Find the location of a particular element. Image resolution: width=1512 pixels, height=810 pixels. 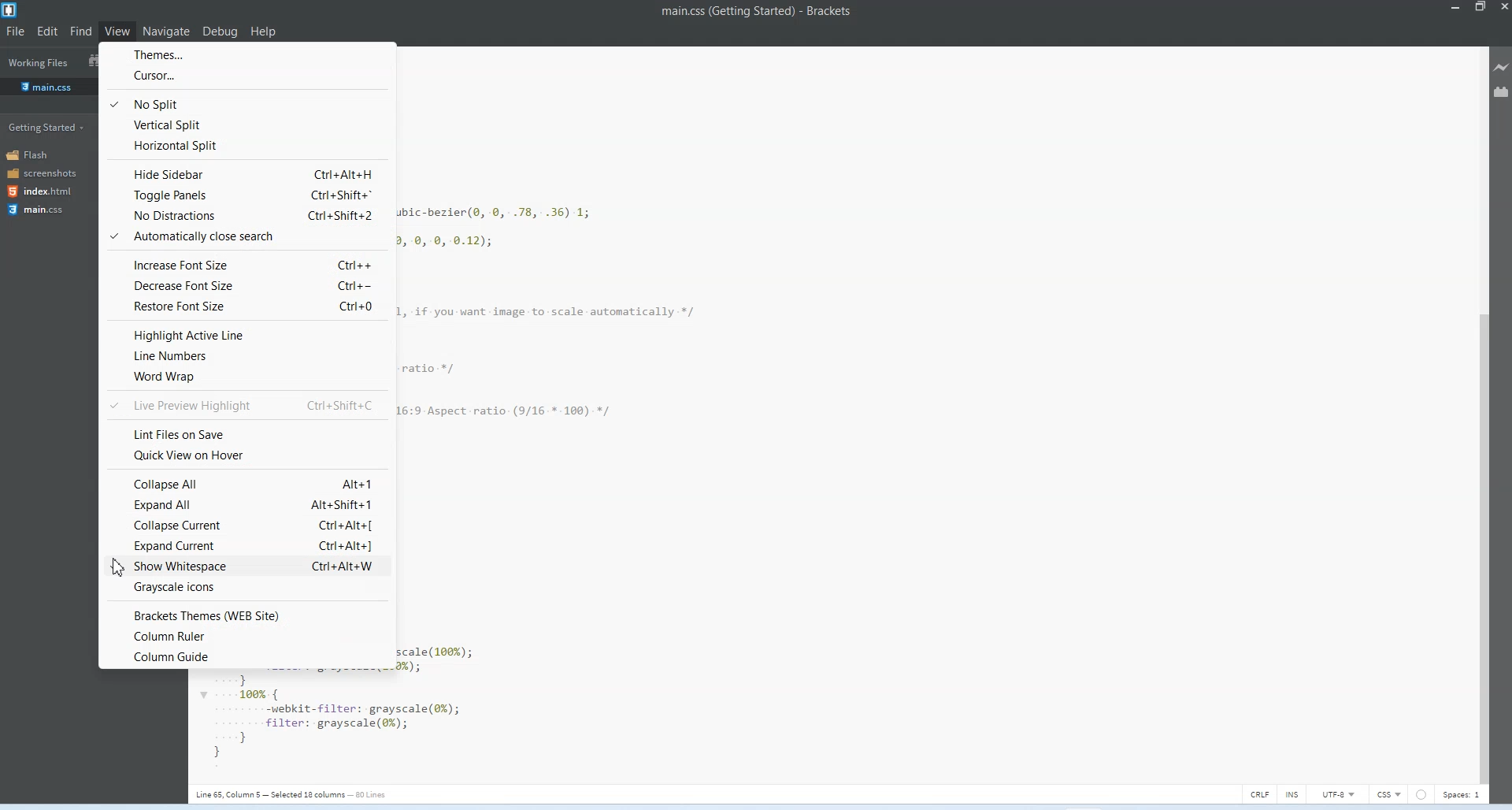

Vertical Scroll bar is located at coordinates (1480, 413).